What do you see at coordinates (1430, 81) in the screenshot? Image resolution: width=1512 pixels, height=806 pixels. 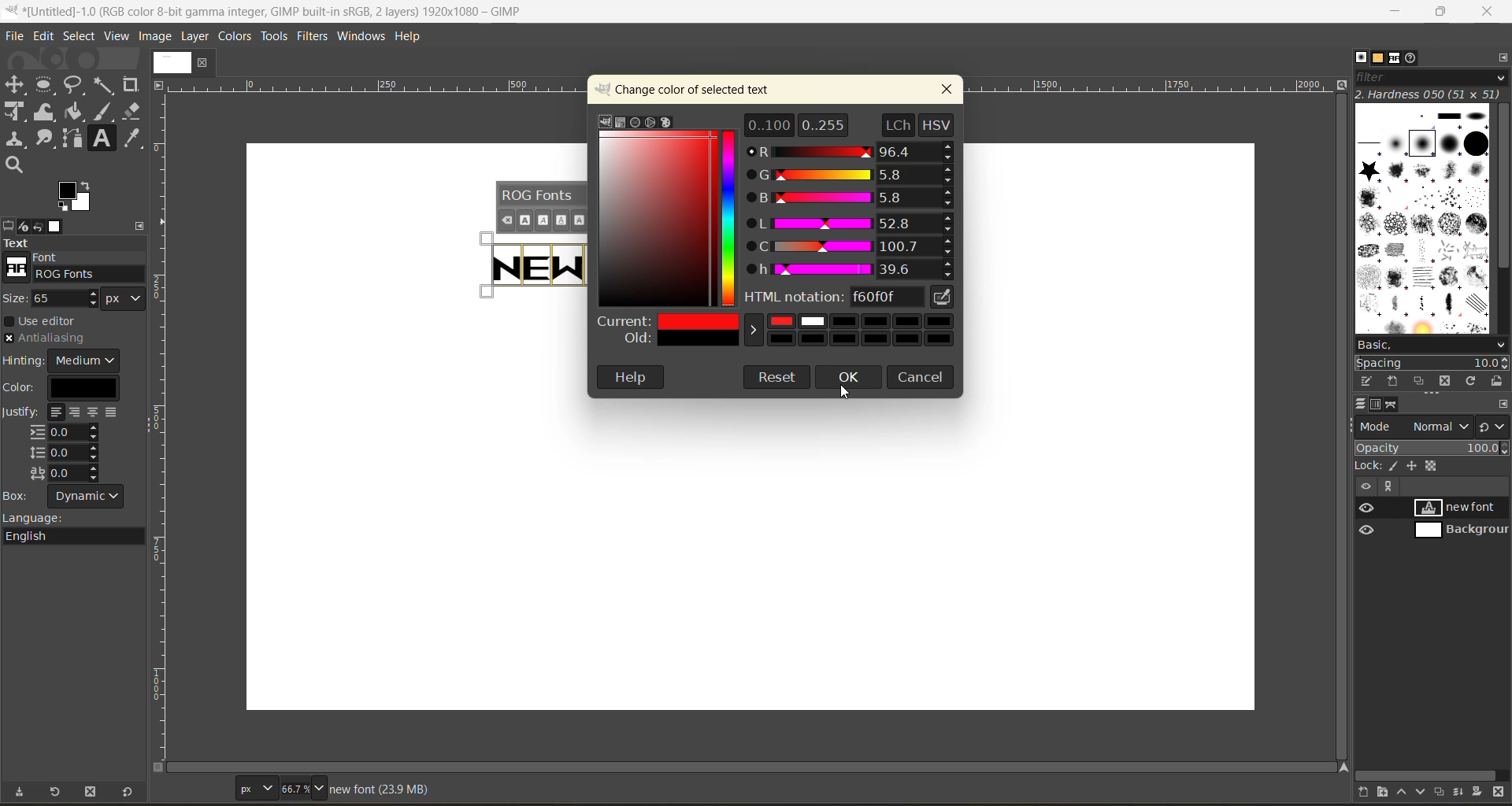 I see `filter` at bounding box center [1430, 81].